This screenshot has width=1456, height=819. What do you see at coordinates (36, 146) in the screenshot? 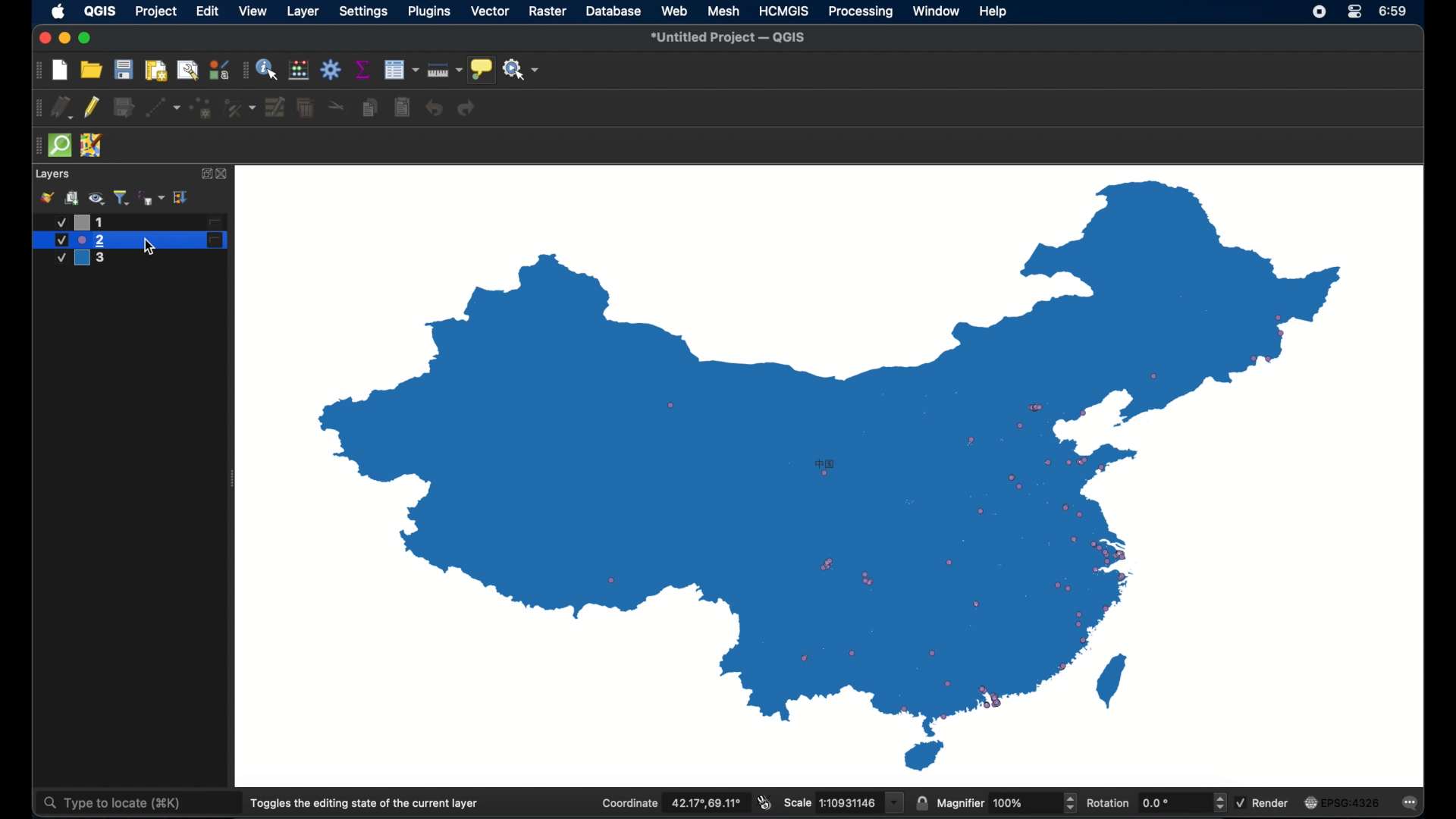
I see `drag handle` at bounding box center [36, 146].